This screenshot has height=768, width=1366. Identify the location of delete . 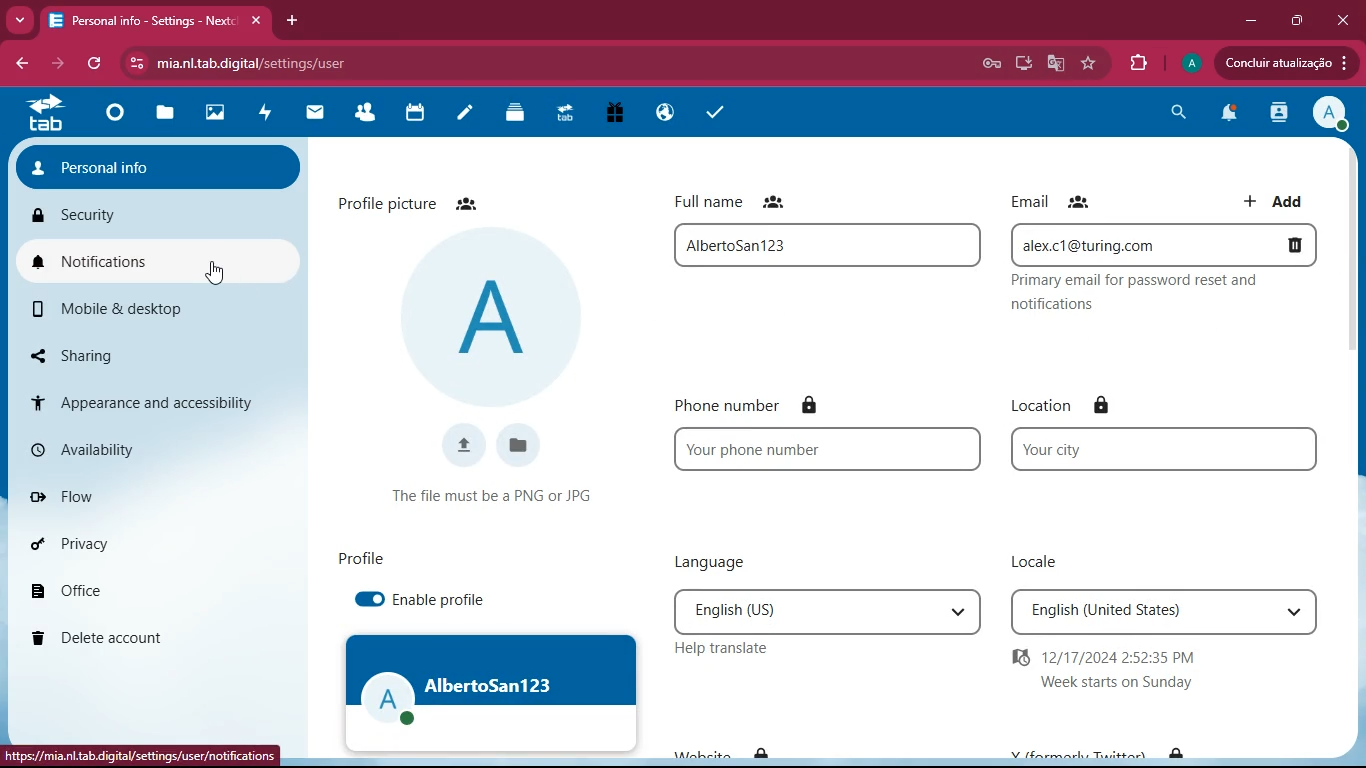
(146, 633).